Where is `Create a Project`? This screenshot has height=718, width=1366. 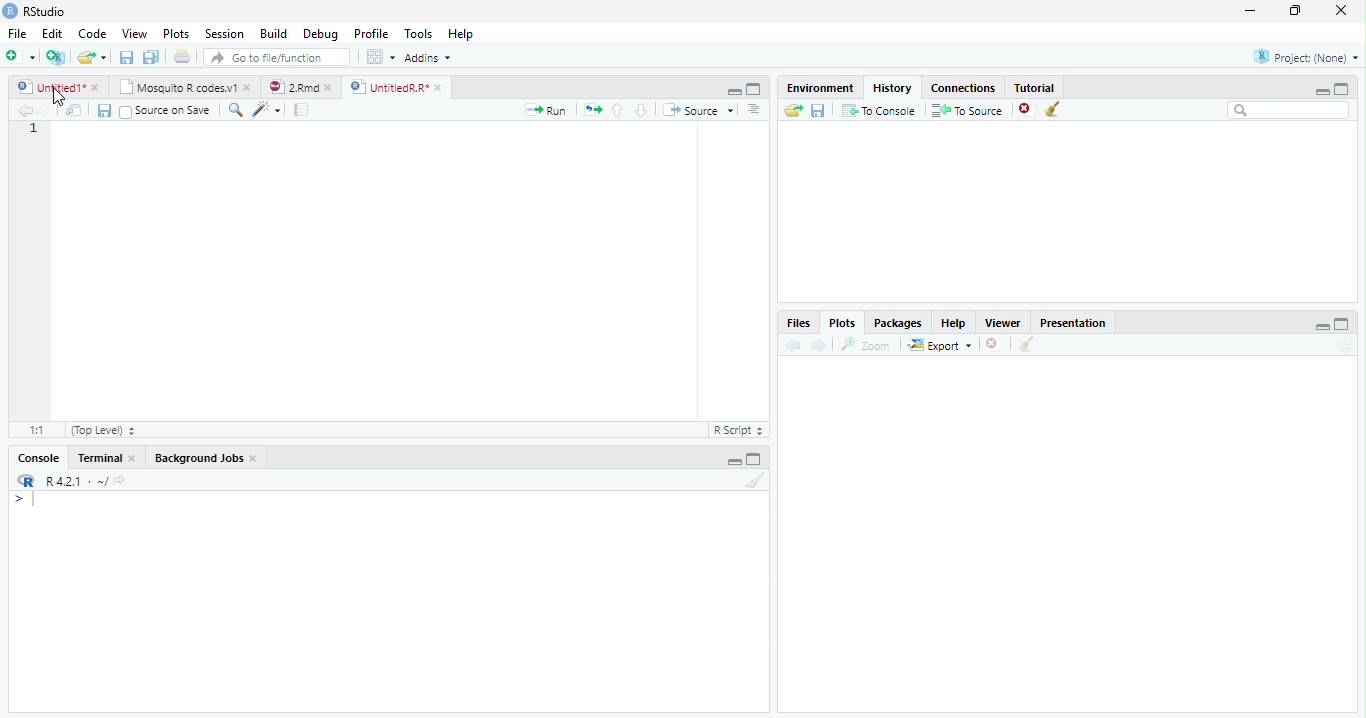 Create a Project is located at coordinates (56, 57).